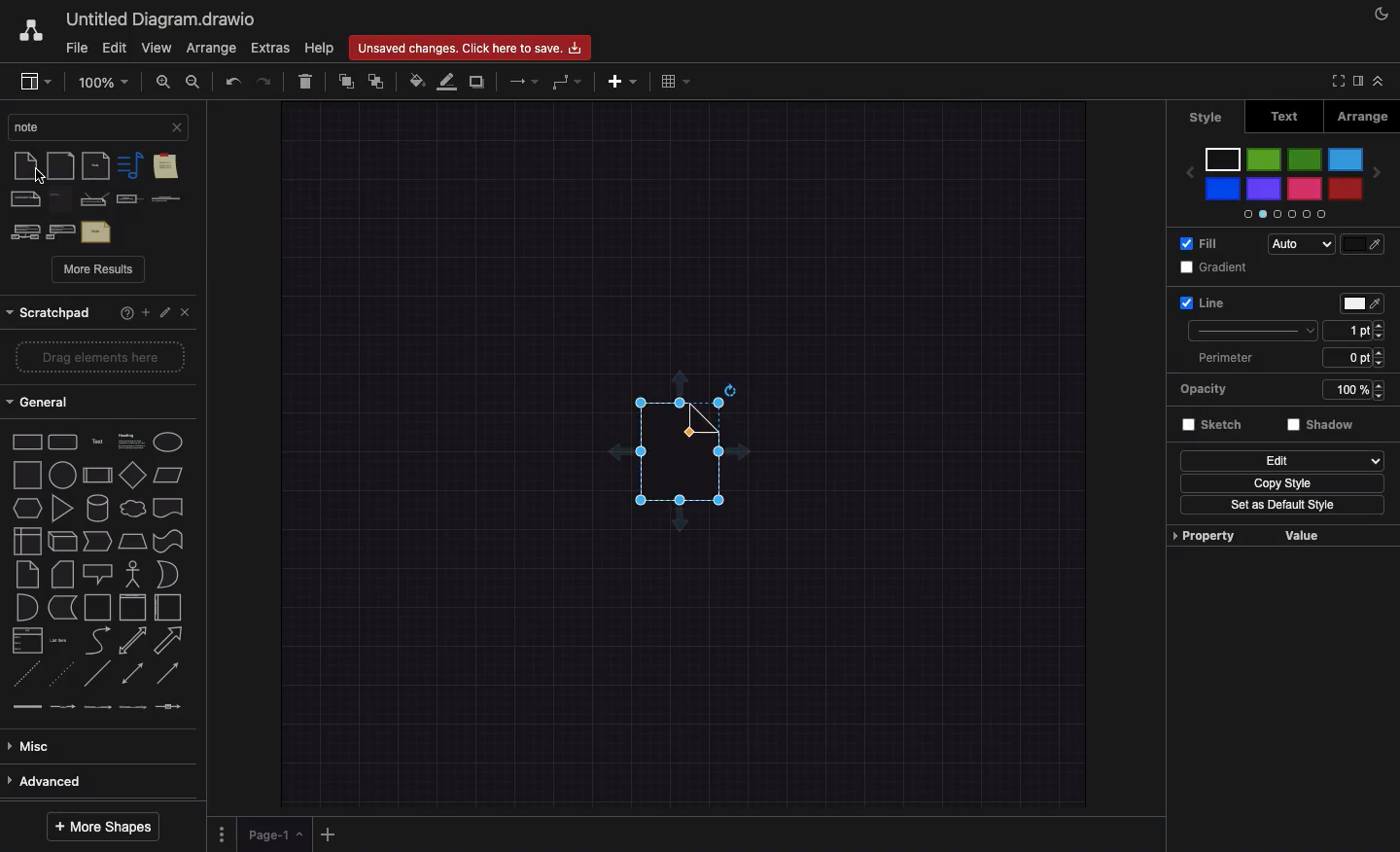 The width and height of the screenshot is (1400, 852). Describe the element at coordinates (25, 541) in the screenshot. I see `internal storage` at that location.